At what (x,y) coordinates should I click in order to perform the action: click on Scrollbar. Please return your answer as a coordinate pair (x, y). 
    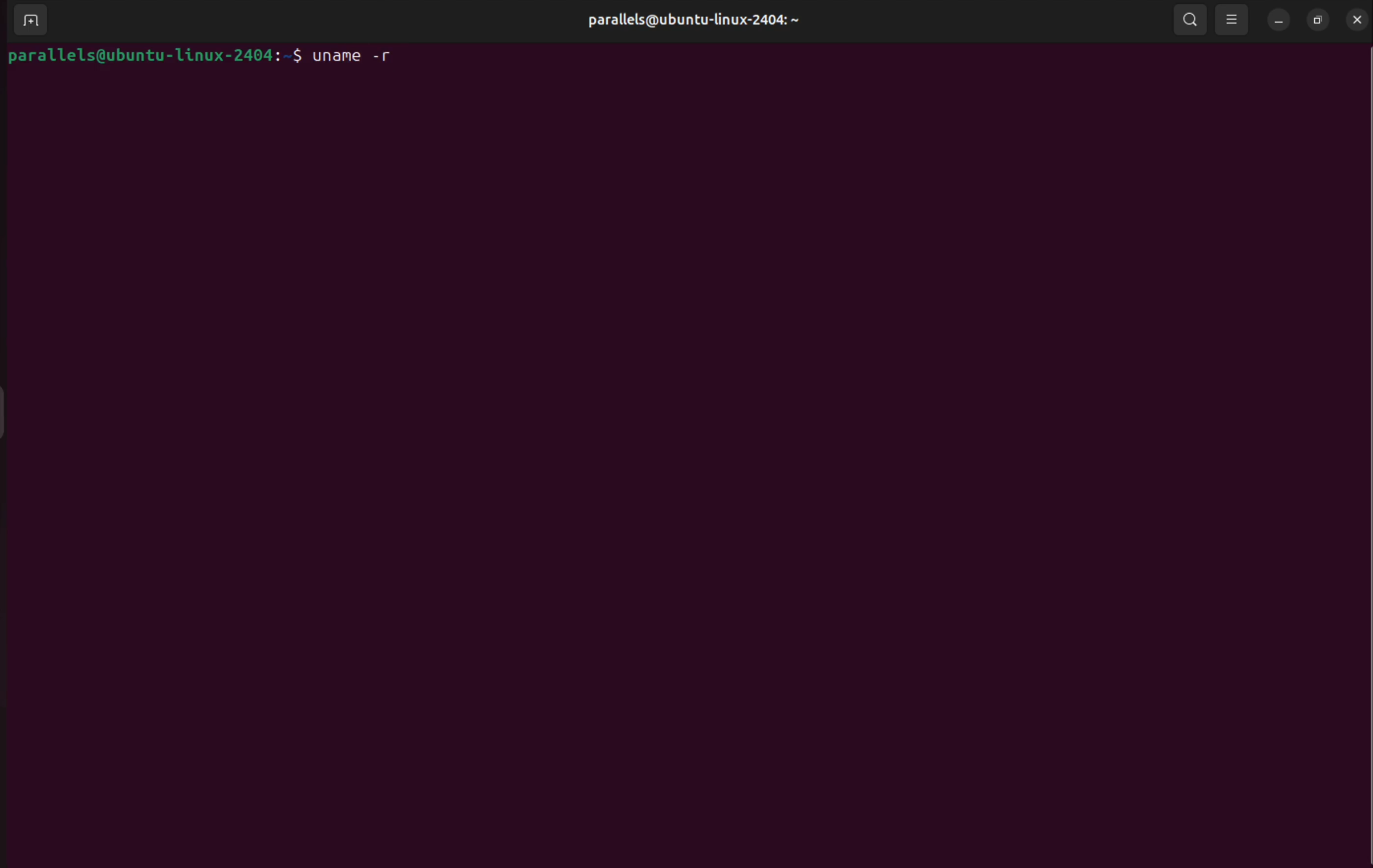
    Looking at the image, I should click on (1364, 454).